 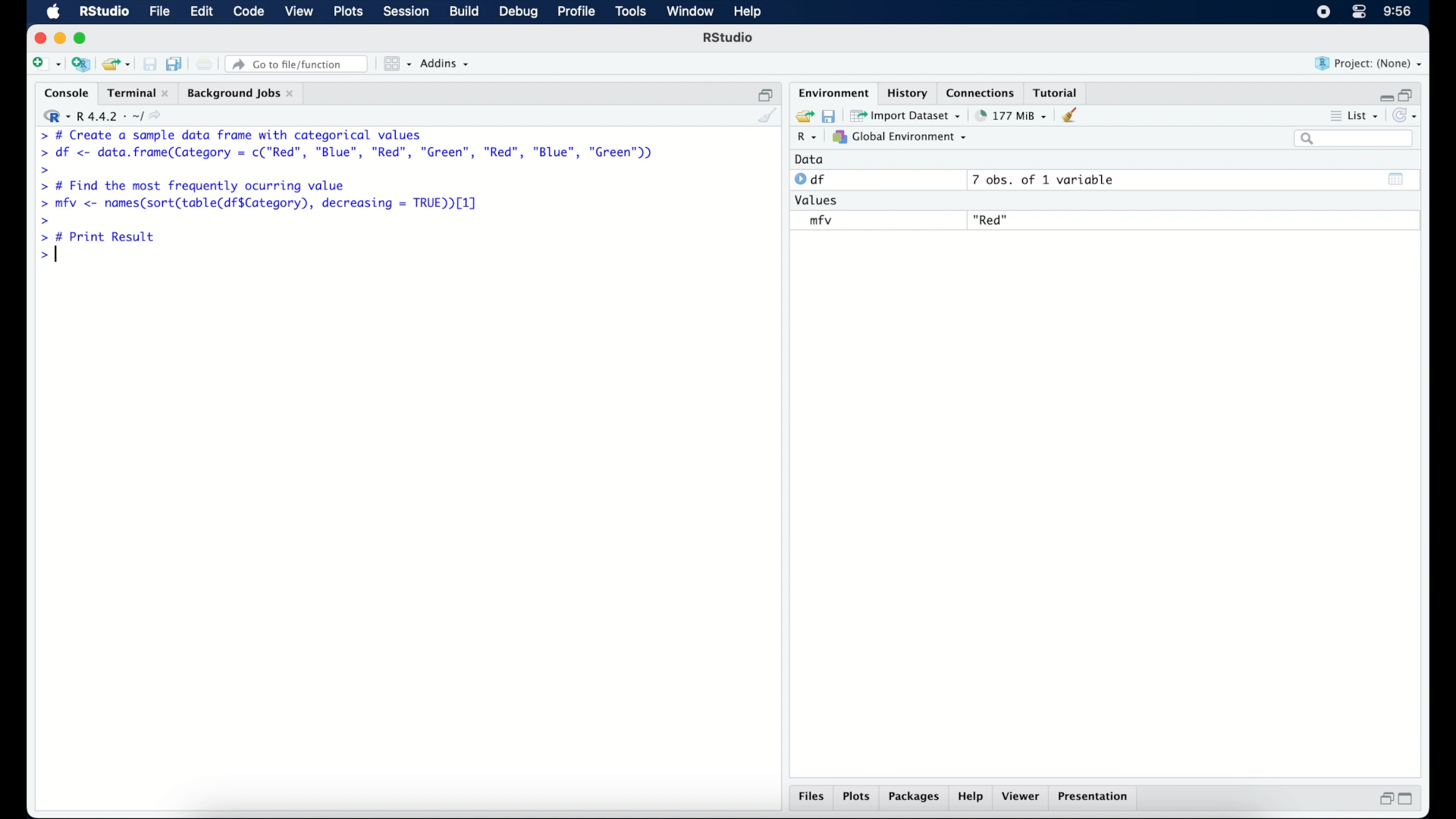 What do you see at coordinates (82, 64) in the screenshot?
I see `create a project` at bounding box center [82, 64].